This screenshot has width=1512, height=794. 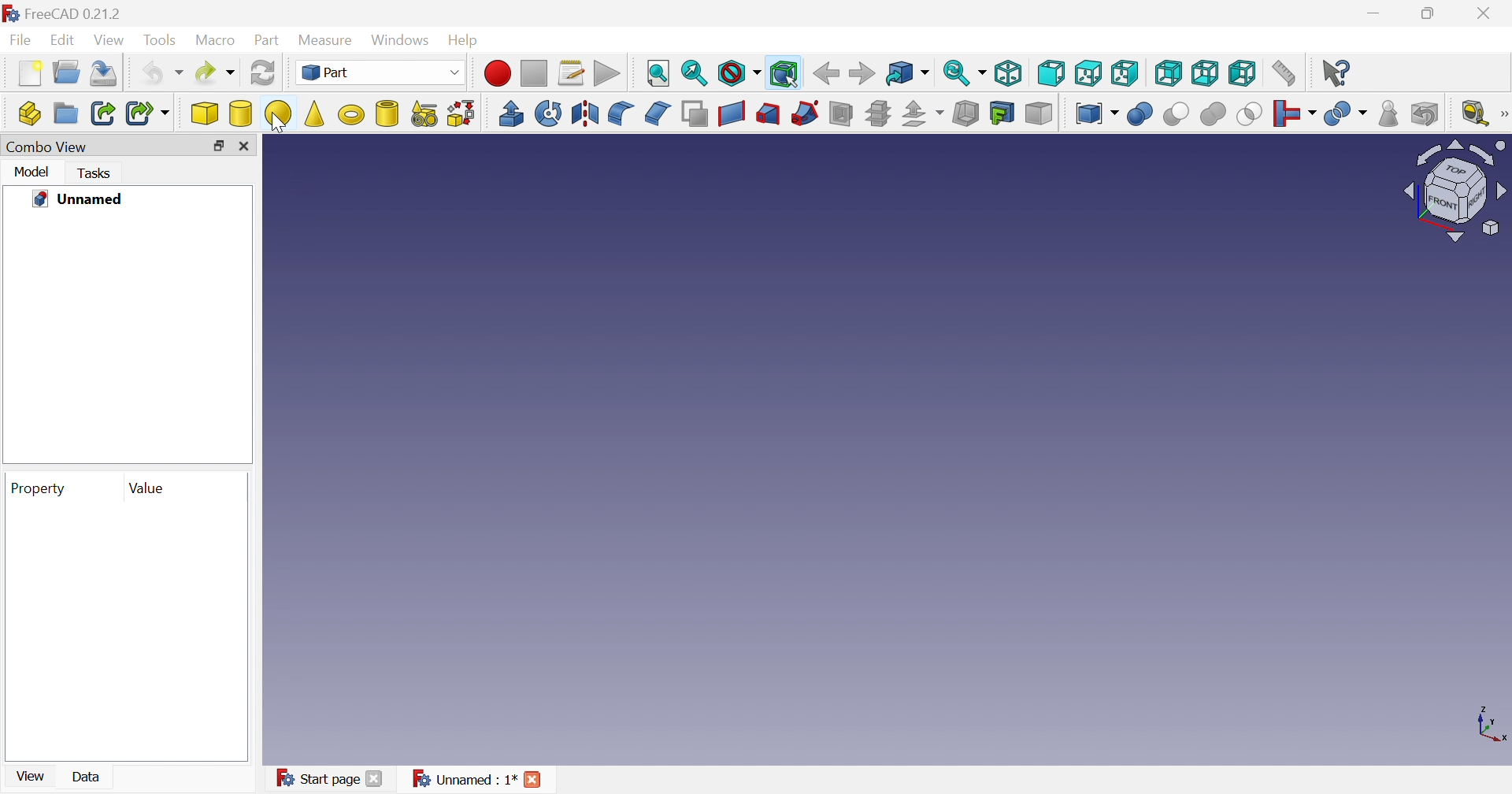 What do you see at coordinates (353, 117) in the screenshot?
I see `Torus` at bounding box center [353, 117].